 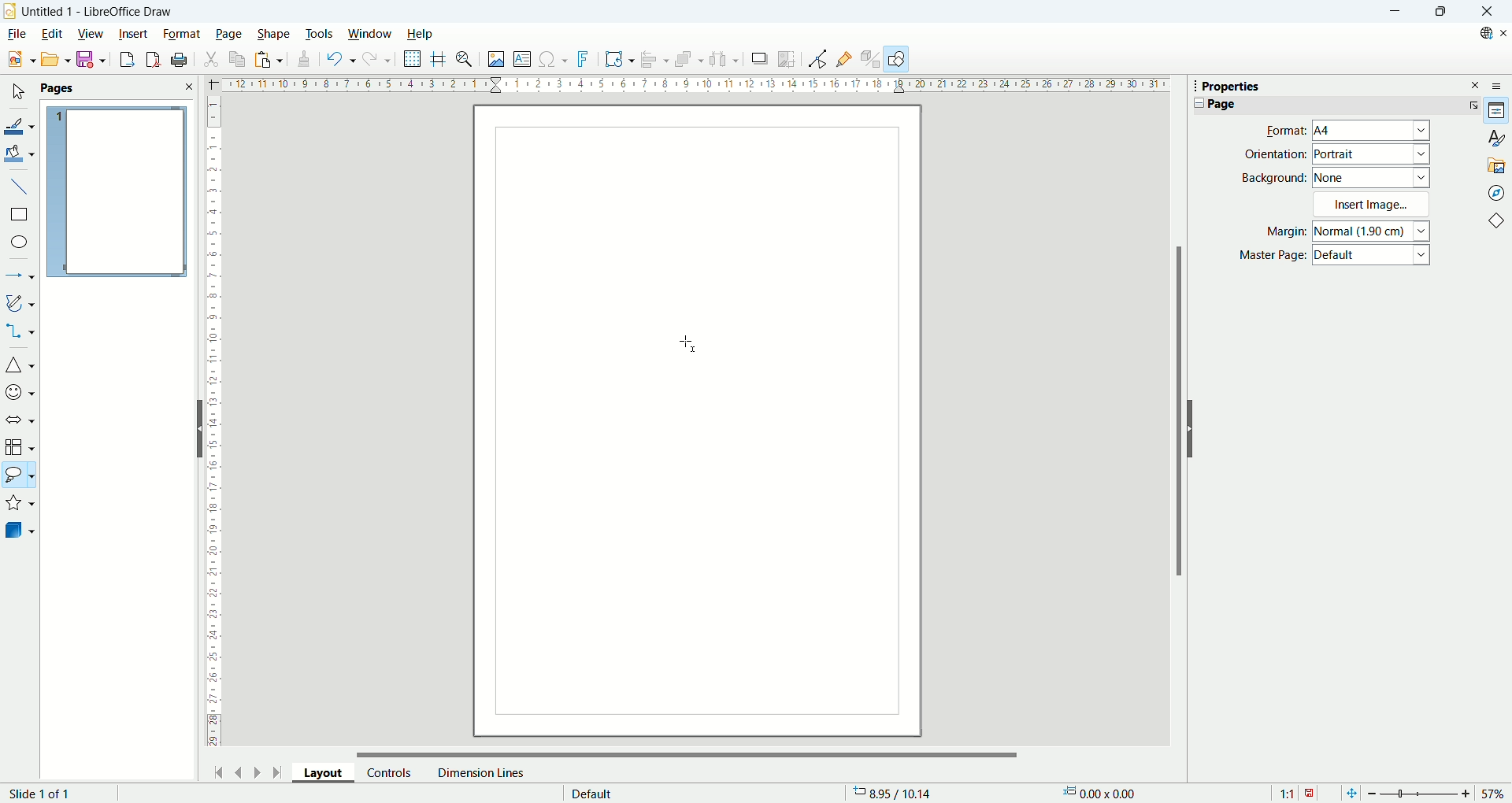 I want to click on solid arrow, so click(x=20, y=418).